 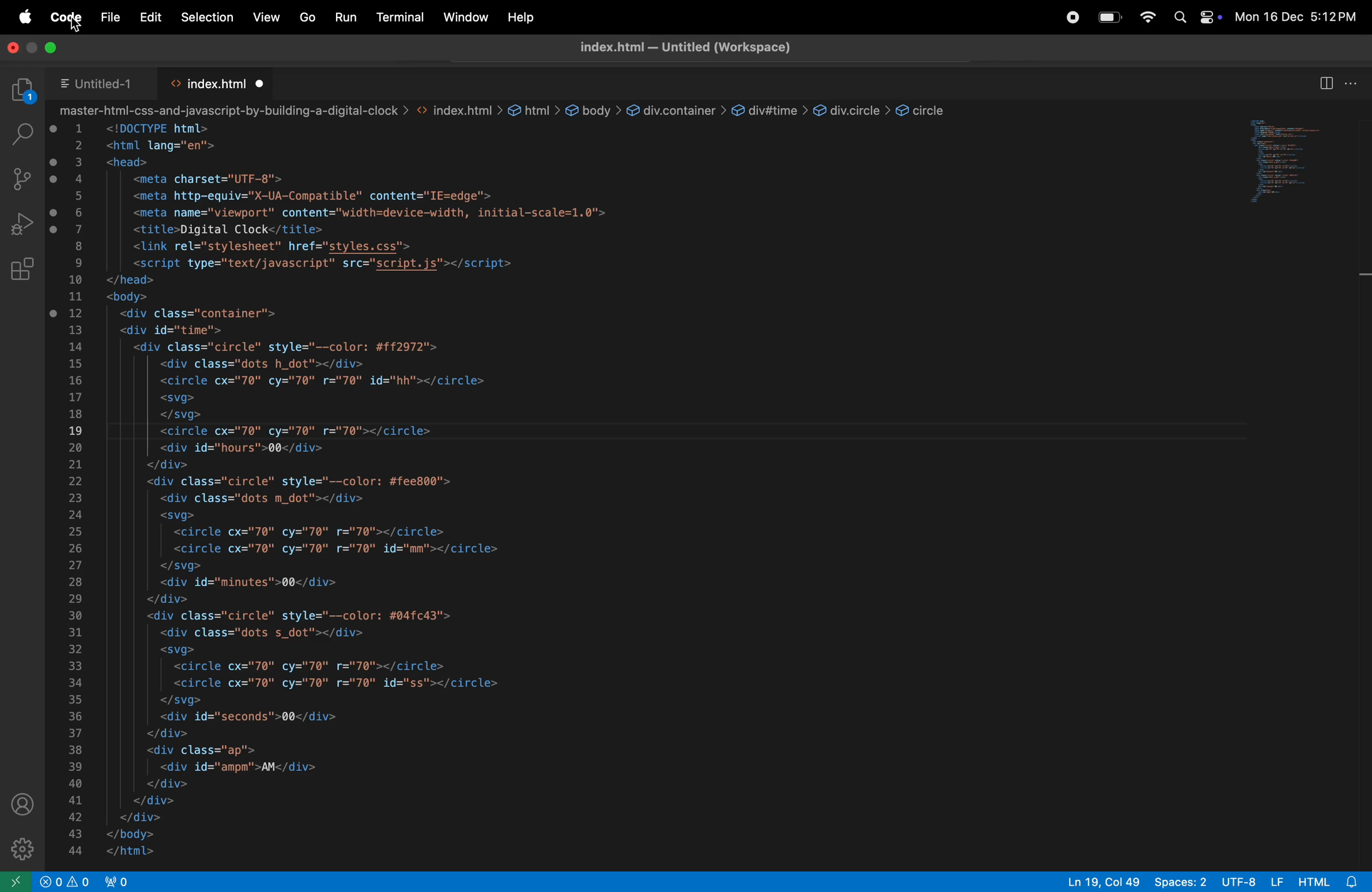 What do you see at coordinates (307, 16) in the screenshot?
I see `Go` at bounding box center [307, 16].